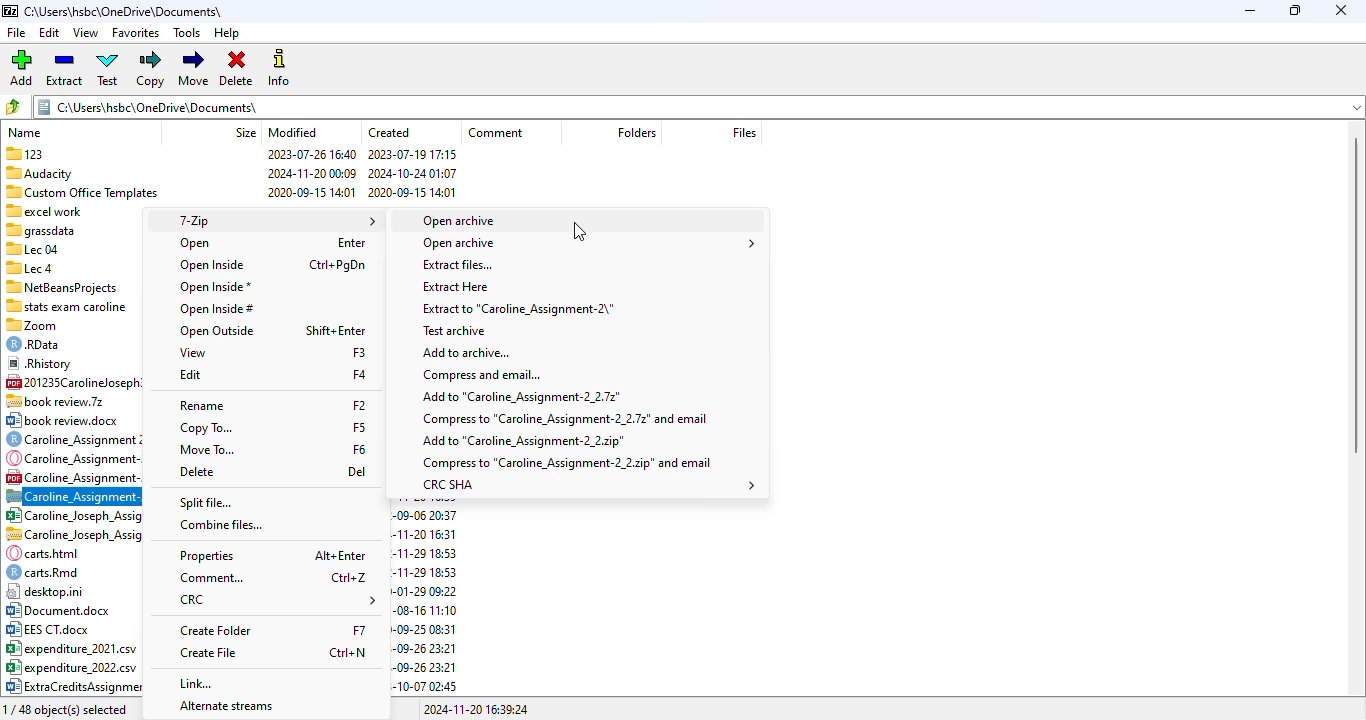 This screenshot has width=1366, height=720. I want to click on extract, so click(64, 68).